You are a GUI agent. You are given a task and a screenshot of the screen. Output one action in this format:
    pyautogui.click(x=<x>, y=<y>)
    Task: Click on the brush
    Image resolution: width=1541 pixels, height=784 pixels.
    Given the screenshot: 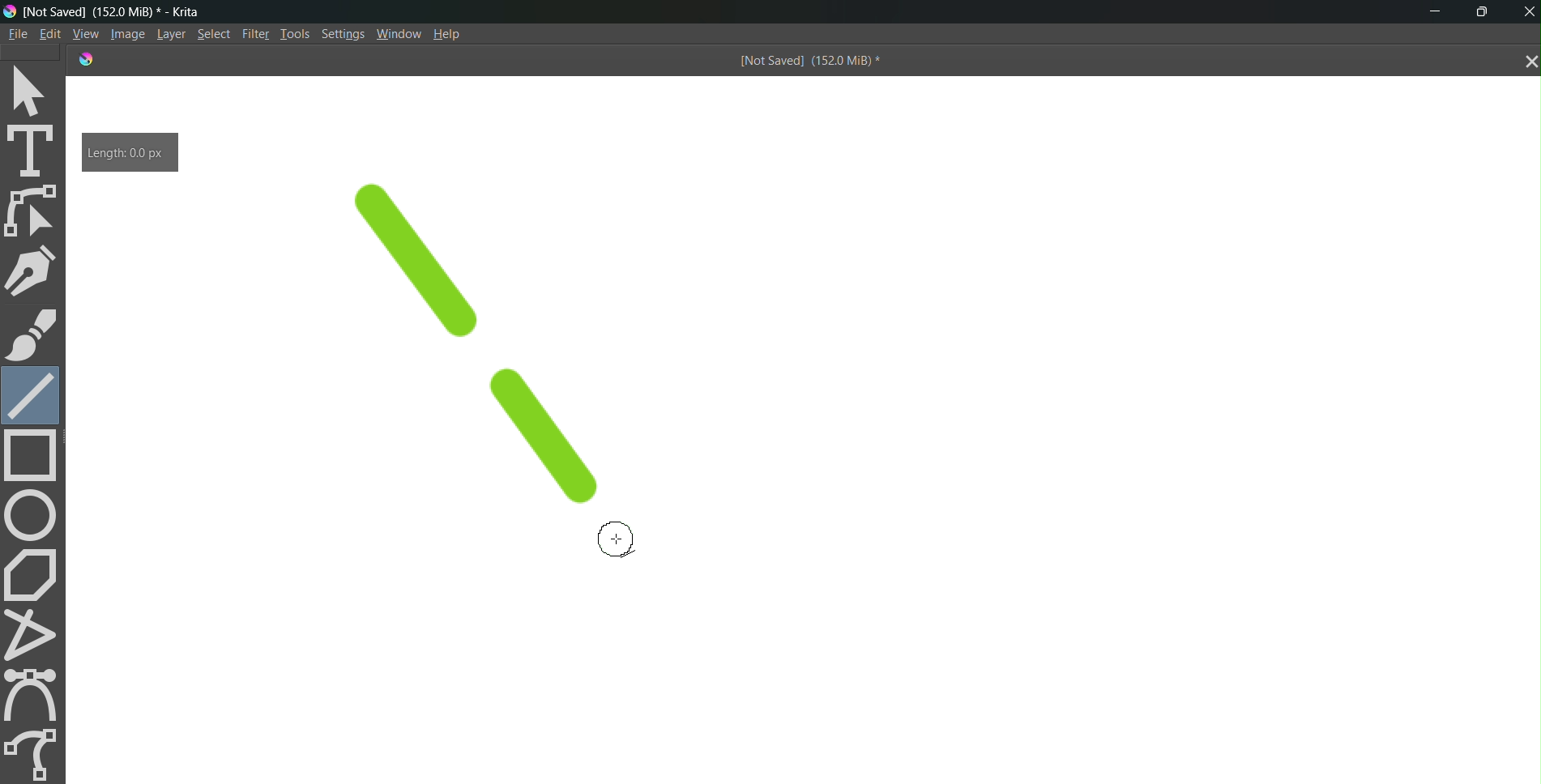 What is the action you would take?
    pyautogui.click(x=32, y=334)
    